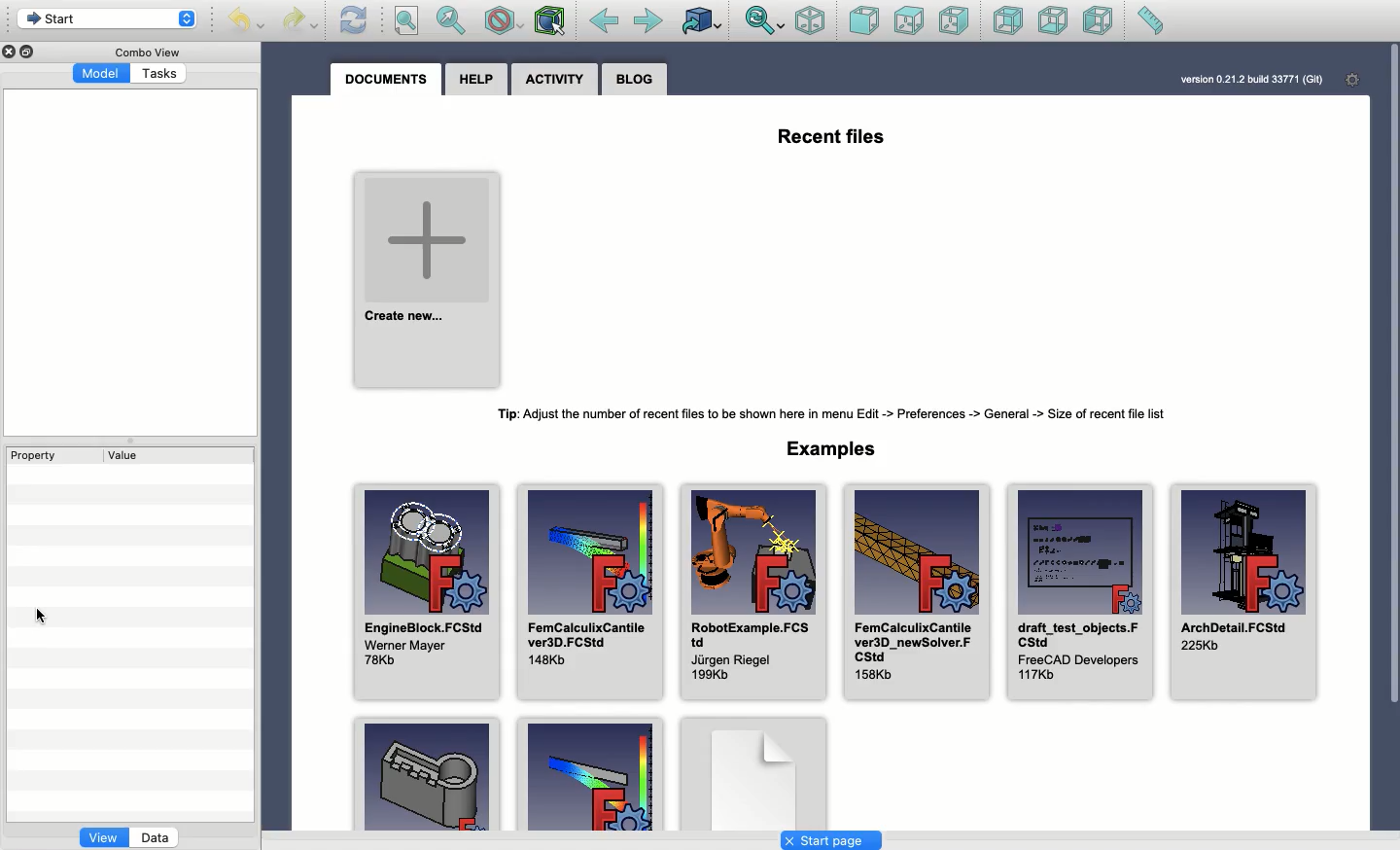 This screenshot has height=850, width=1400. I want to click on Front, so click(865, 21).